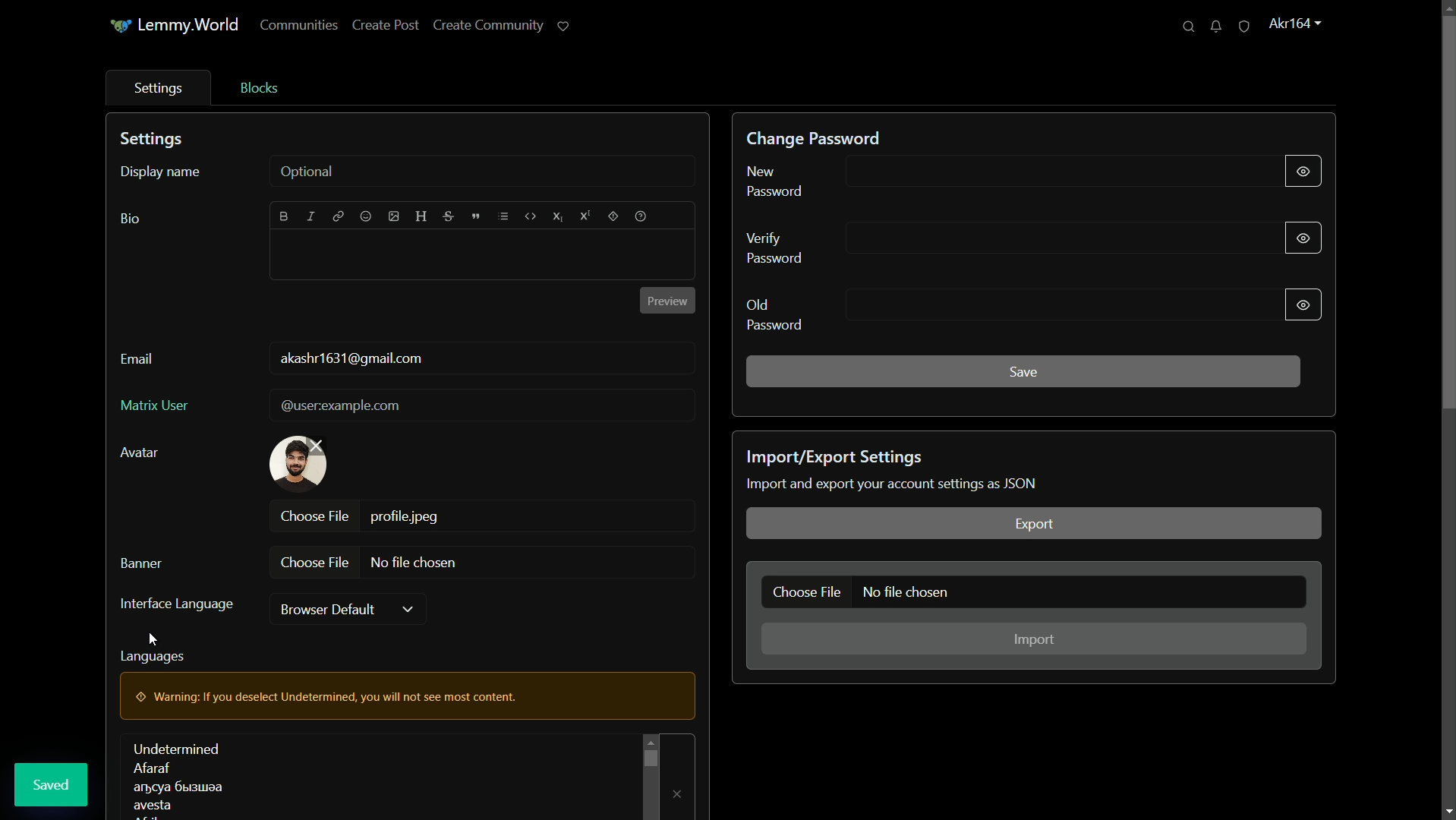  What do you see at coordinates (137, 360) in the screenshot?
I see `email` at bounding box center [137, 360].